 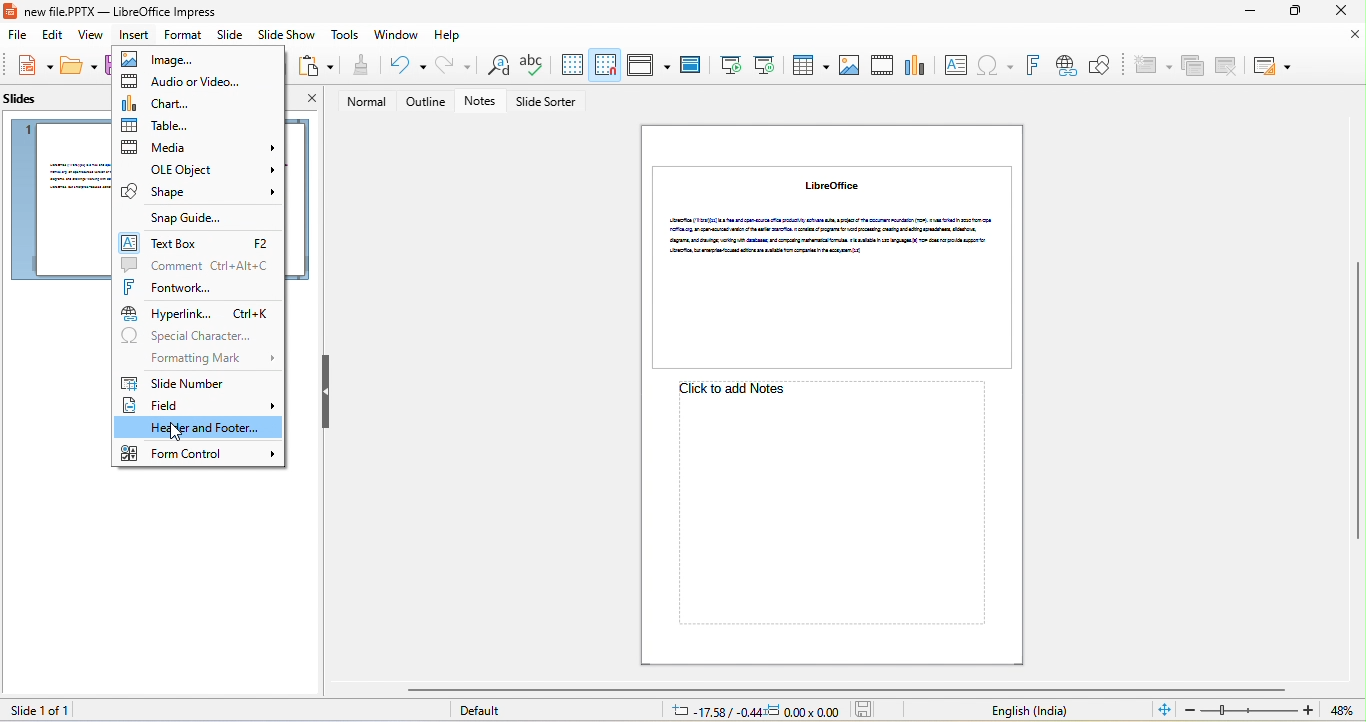 I want to click on slide 1, so click(x=56, y=199).